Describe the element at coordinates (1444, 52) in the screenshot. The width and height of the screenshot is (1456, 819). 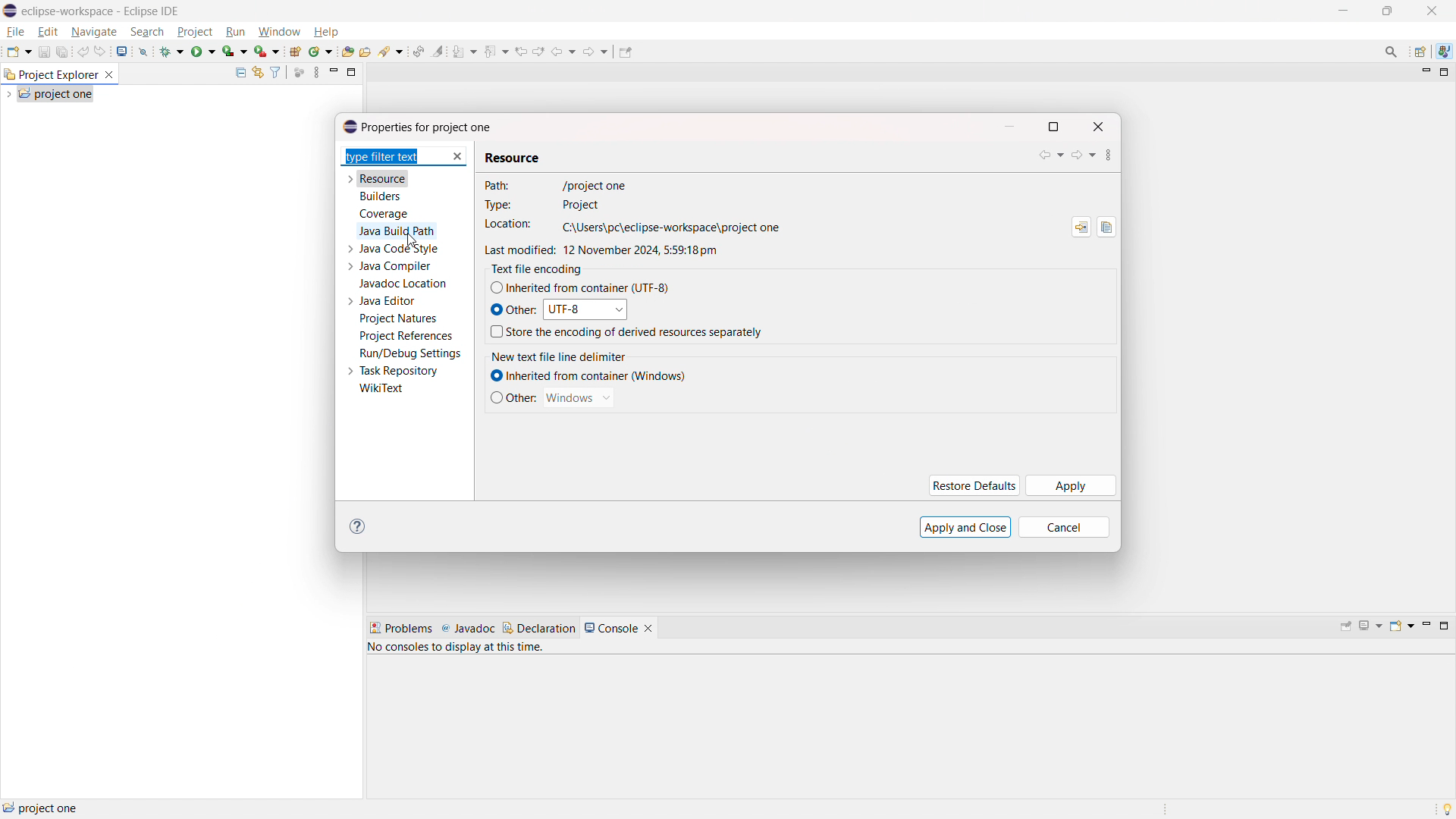
I see `java` at that location.